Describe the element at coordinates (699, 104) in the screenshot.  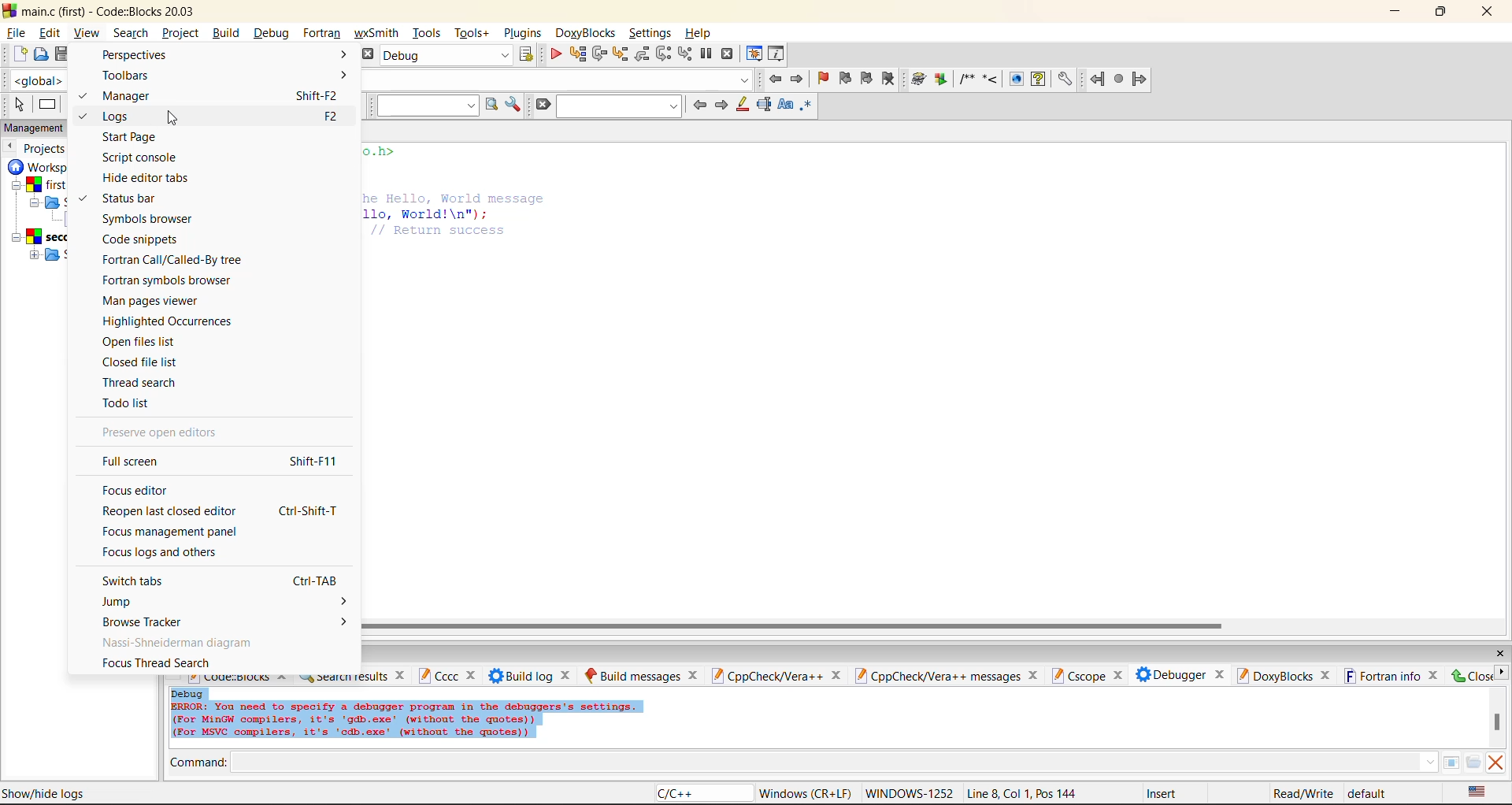
I see `previous` at that location.